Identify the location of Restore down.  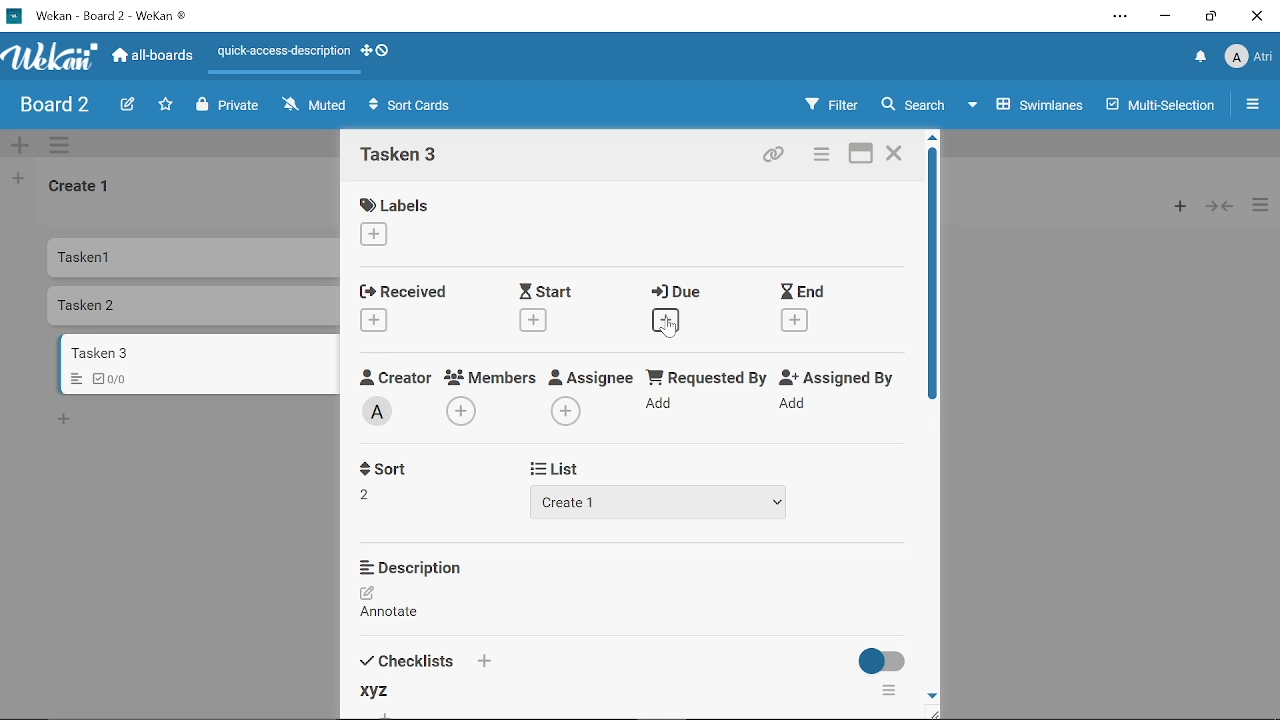
(1209, 19).